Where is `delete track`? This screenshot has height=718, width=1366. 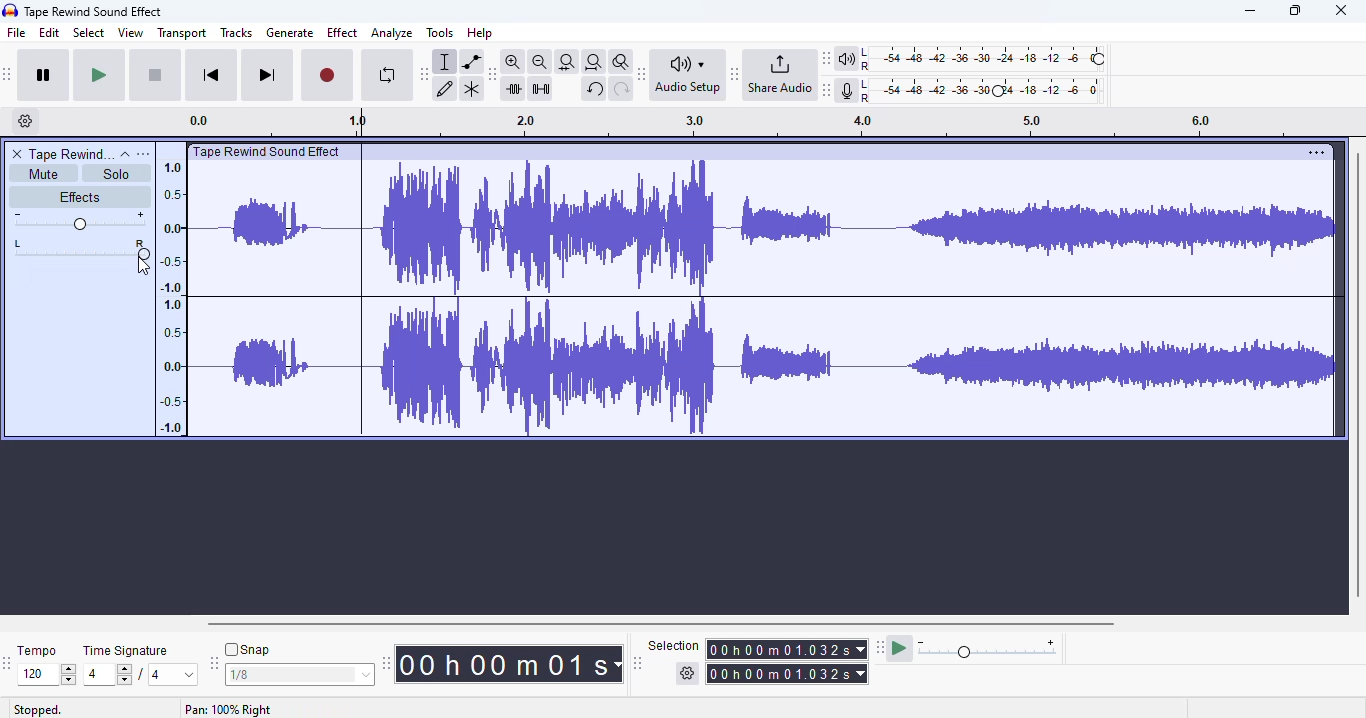
delete track is located at coordinates (18, 154).